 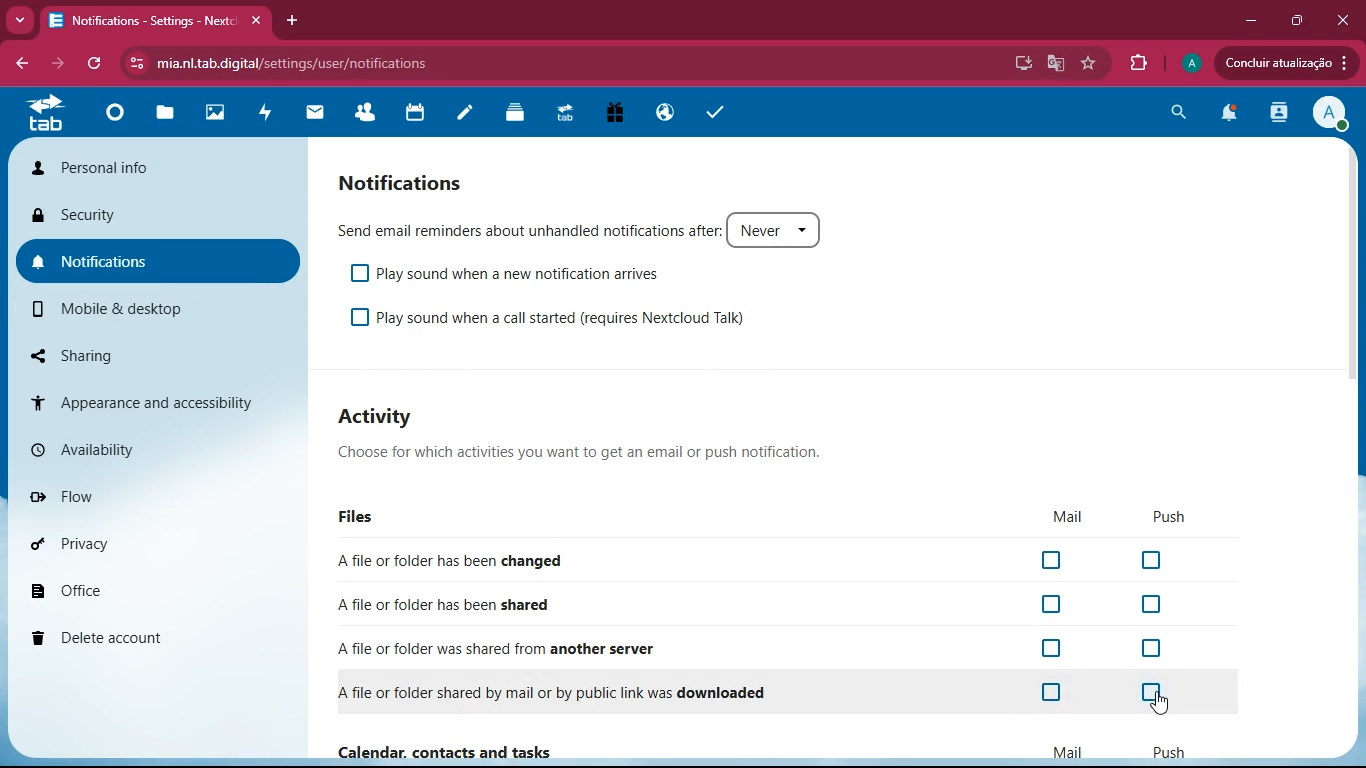 What do you see at coordinates (140, 214) in the screenshot?
I see `security` at bounding box center [140, 214].